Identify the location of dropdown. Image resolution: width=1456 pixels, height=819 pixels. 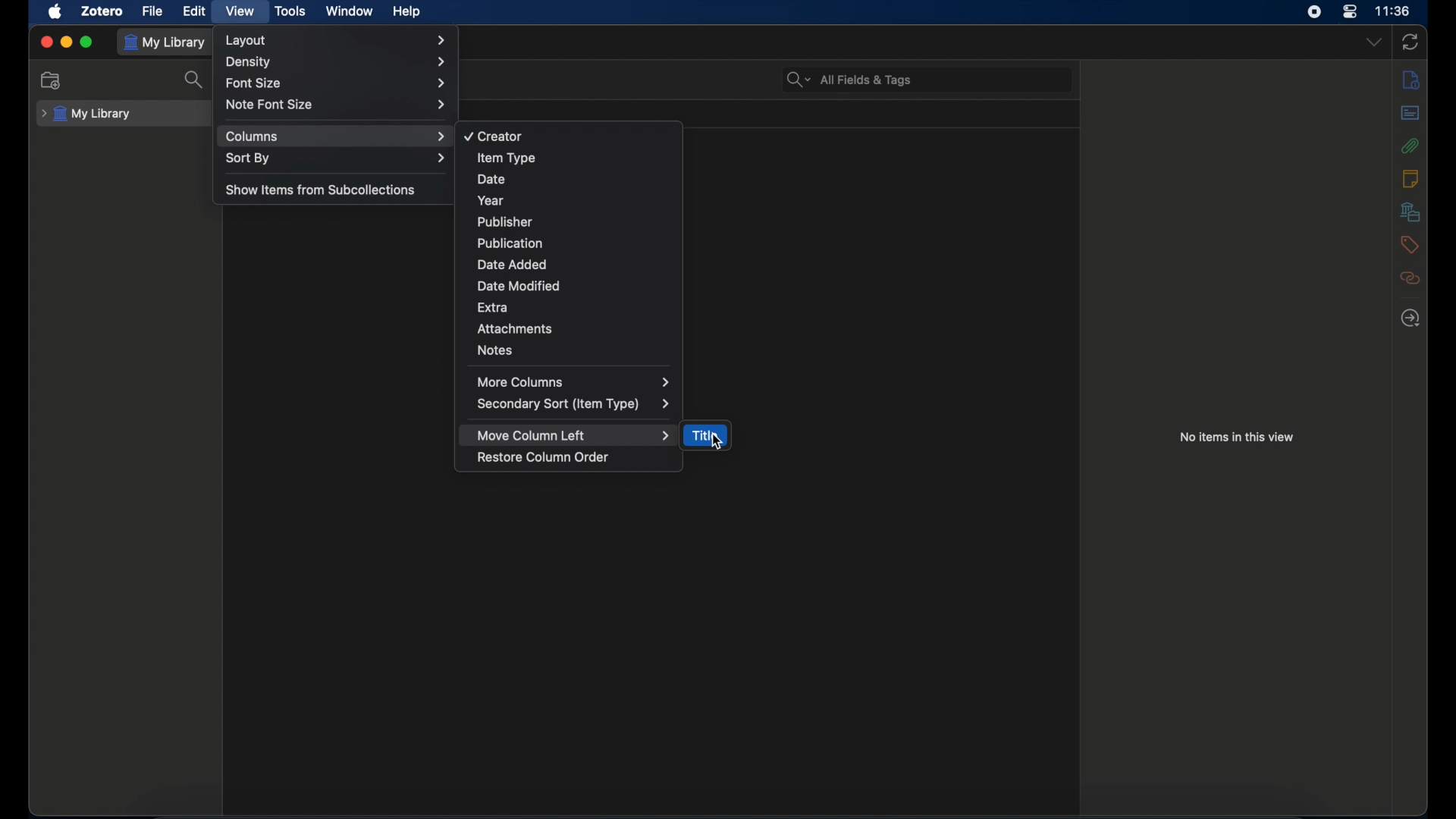
(1375, 42).